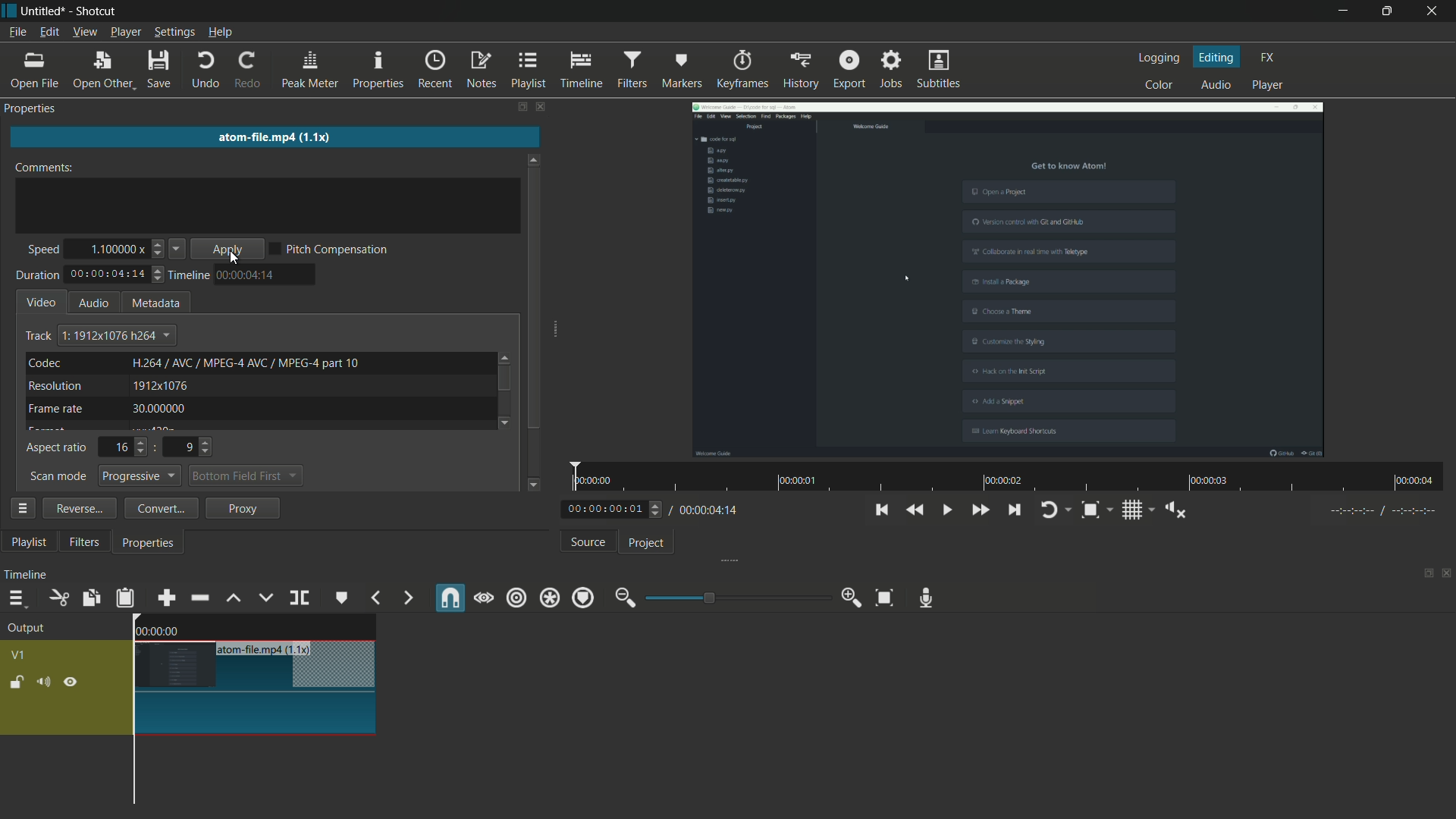  What do you see at coordinates (849, 69) in the screenshot?
I see `export` at bounding box center [849, 69].